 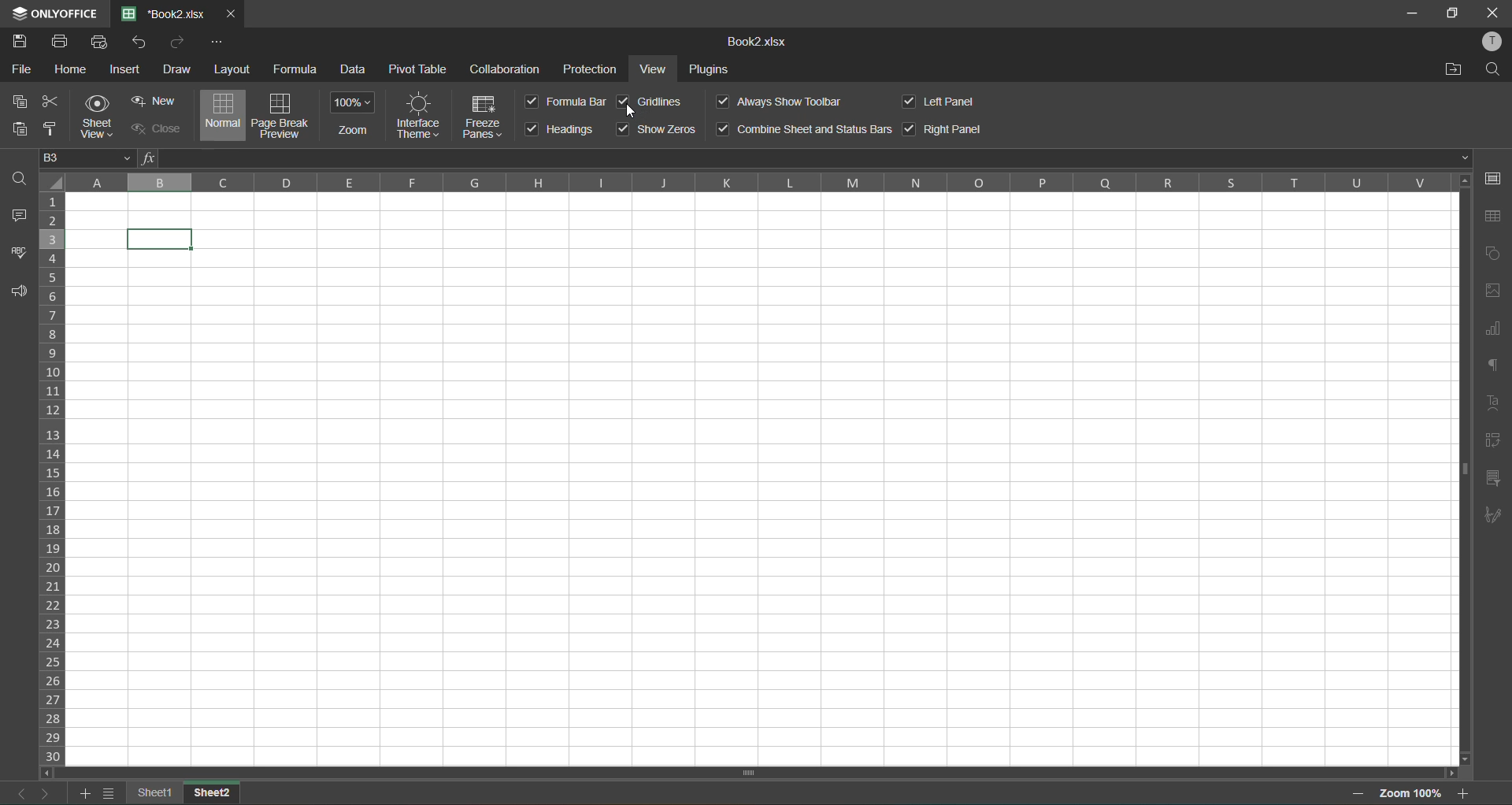 I want to click on formula bar, so click(x=808, y=159).